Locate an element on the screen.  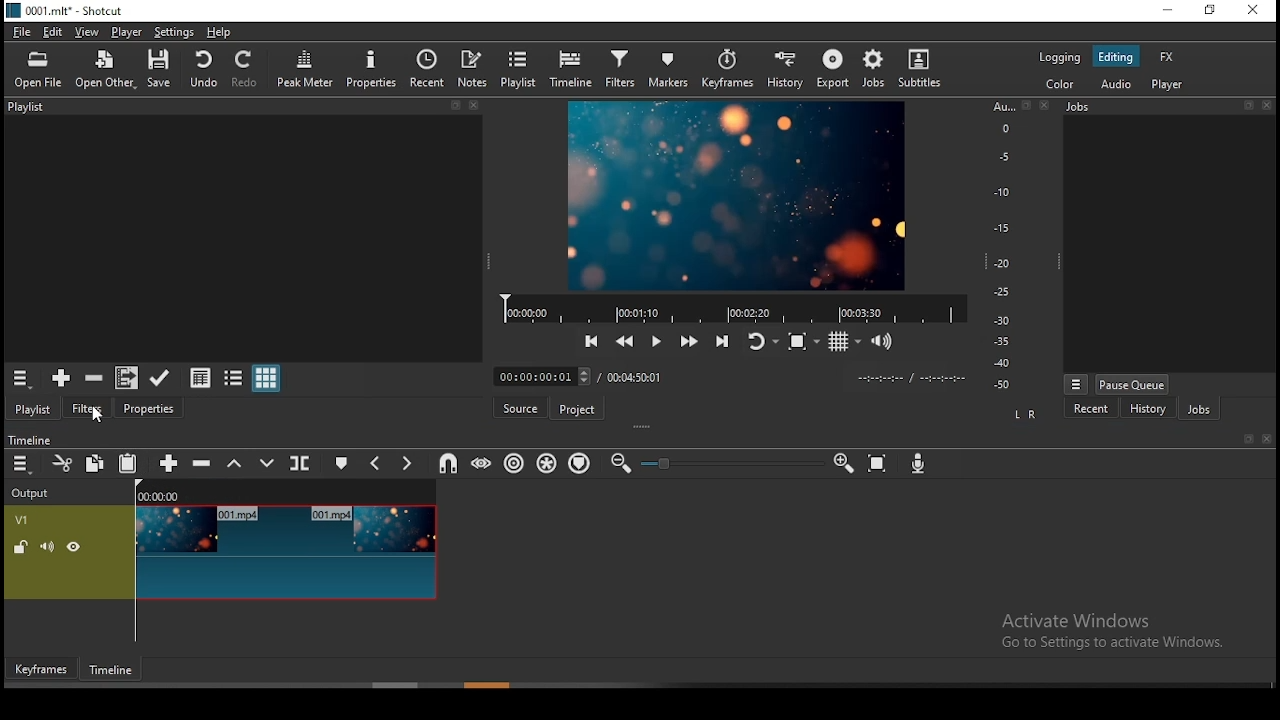
subtitles is located at coordinates (920, 69).